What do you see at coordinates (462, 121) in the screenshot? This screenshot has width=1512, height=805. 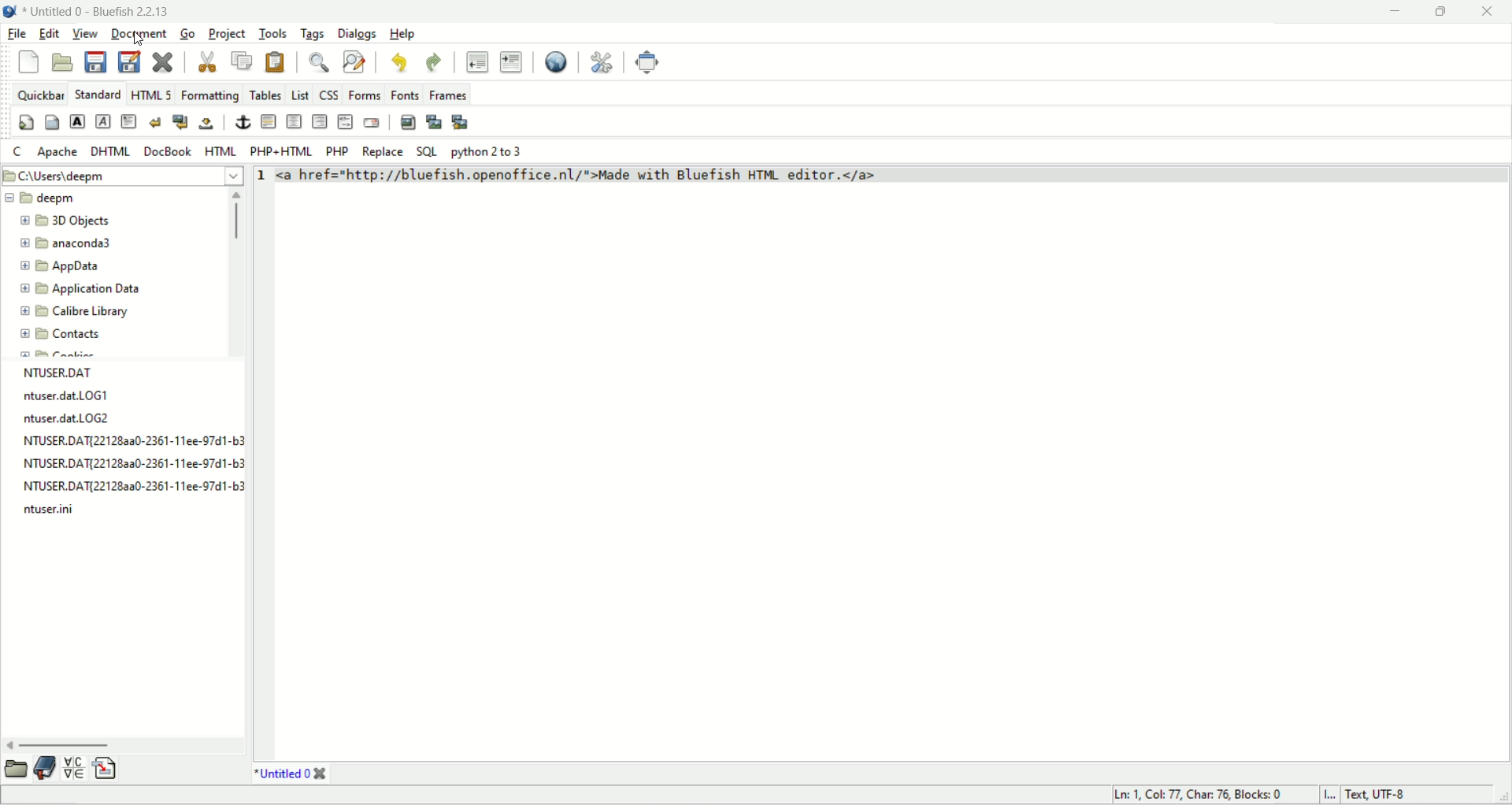 I see `MULTI THUMBNAIL` at bounding box center [462, 121].